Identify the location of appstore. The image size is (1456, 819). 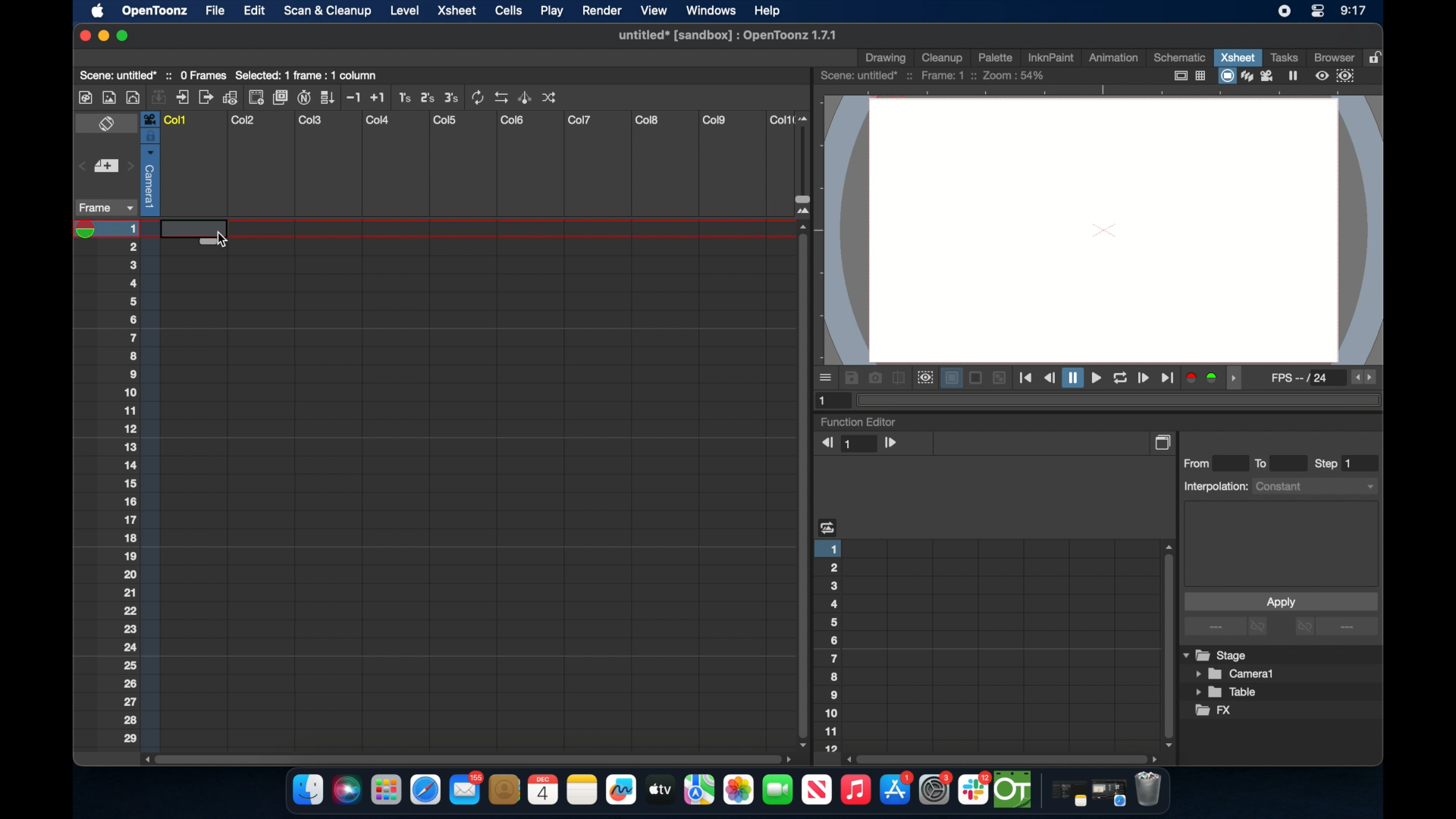
(896, 790).